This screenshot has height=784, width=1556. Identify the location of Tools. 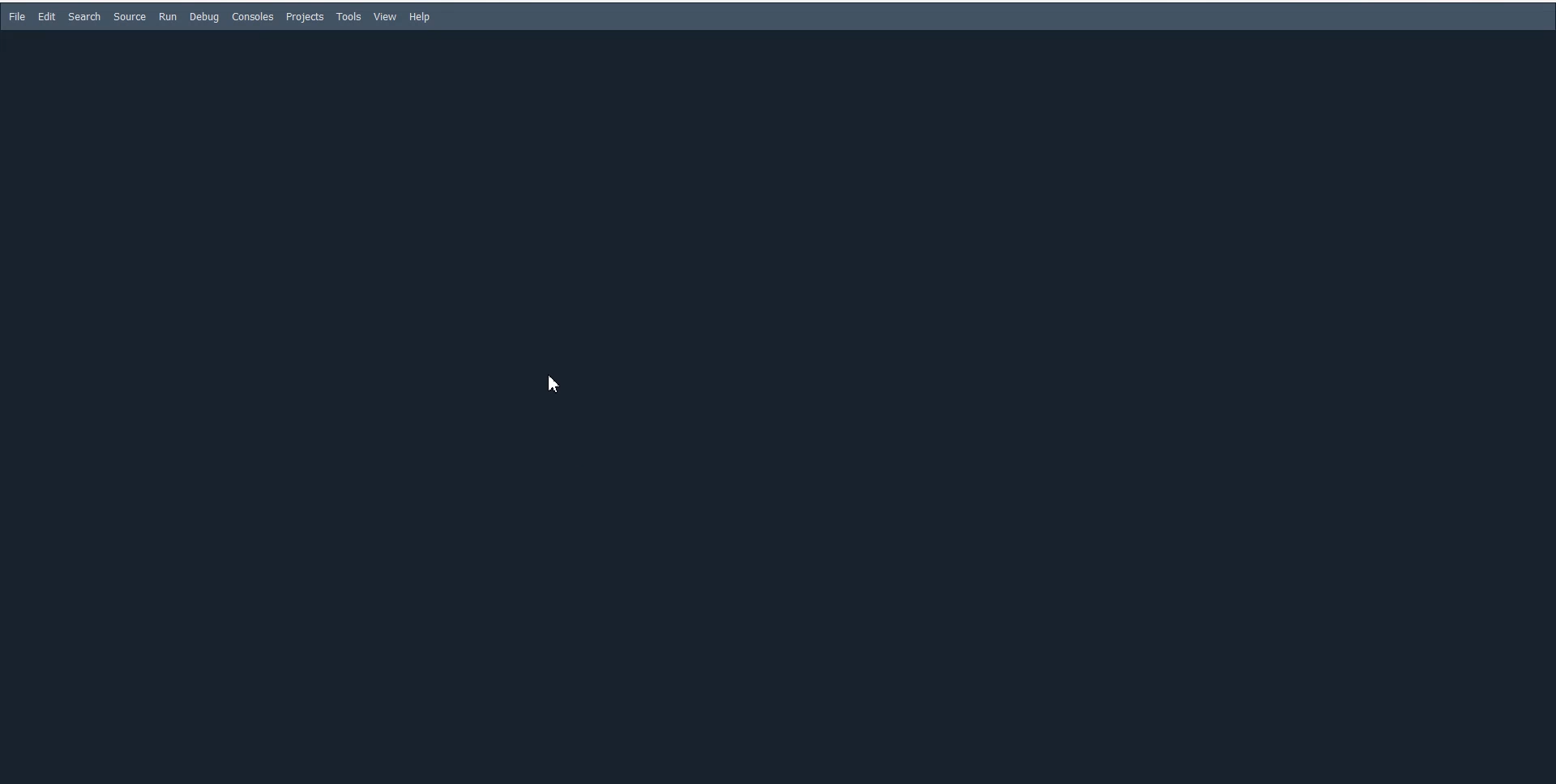
(349, 17).